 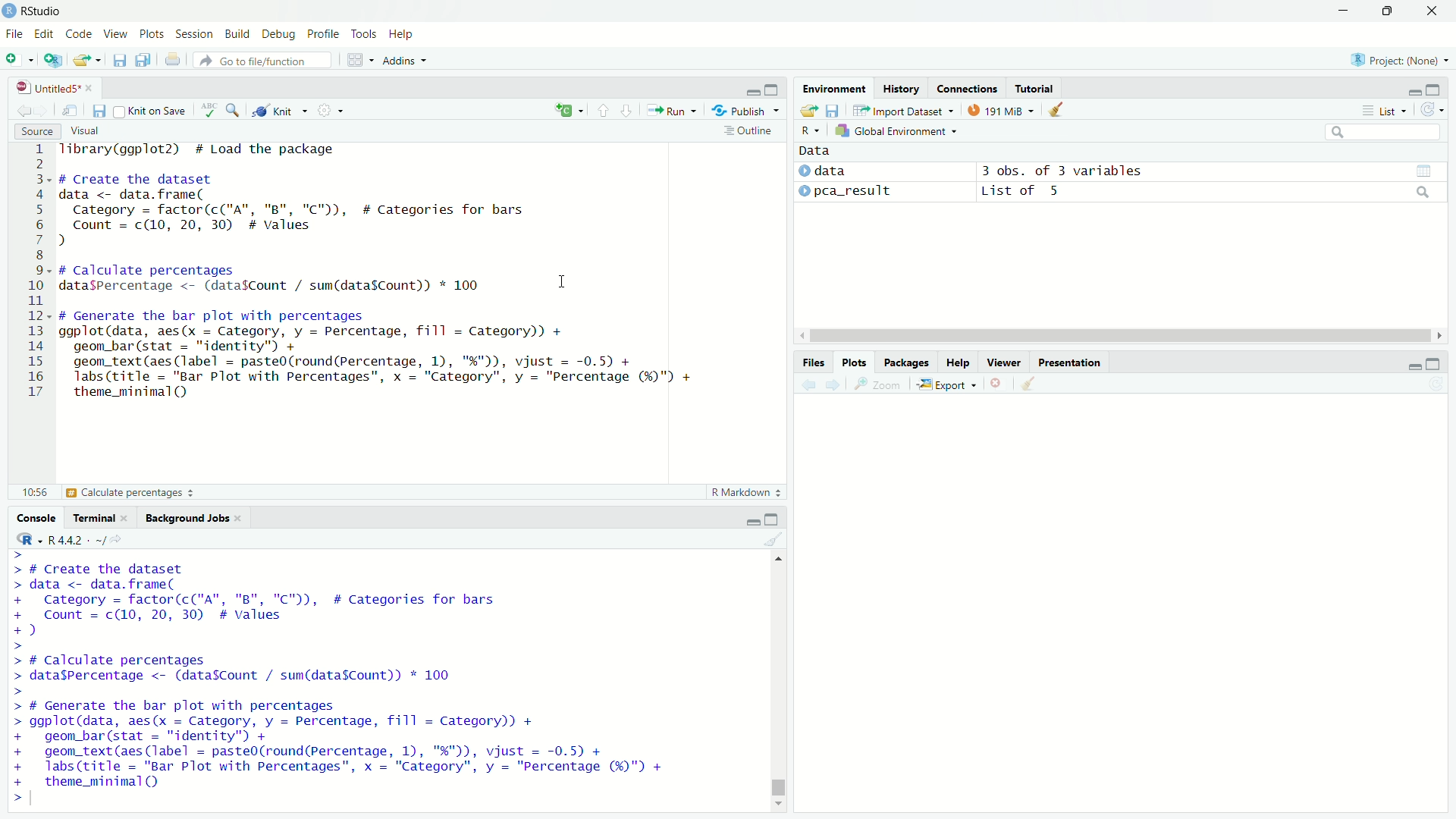 What do you see at coordinates (1058, 110) in the screenshot?
I see `clear all objects` at bounding box center [1058, 110].